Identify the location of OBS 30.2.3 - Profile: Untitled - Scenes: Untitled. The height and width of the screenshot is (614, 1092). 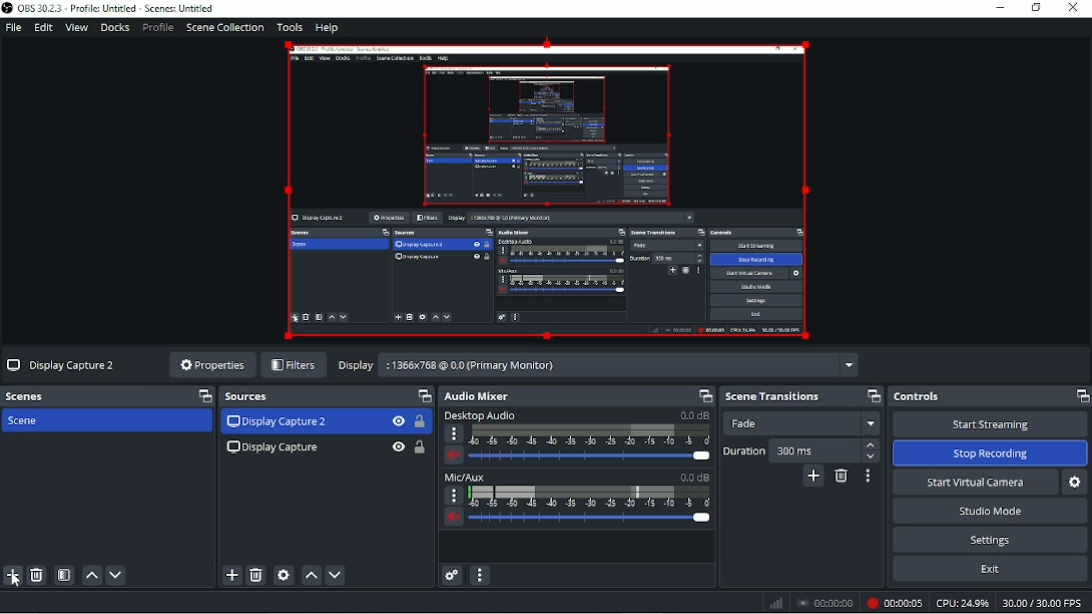
(107, 8).